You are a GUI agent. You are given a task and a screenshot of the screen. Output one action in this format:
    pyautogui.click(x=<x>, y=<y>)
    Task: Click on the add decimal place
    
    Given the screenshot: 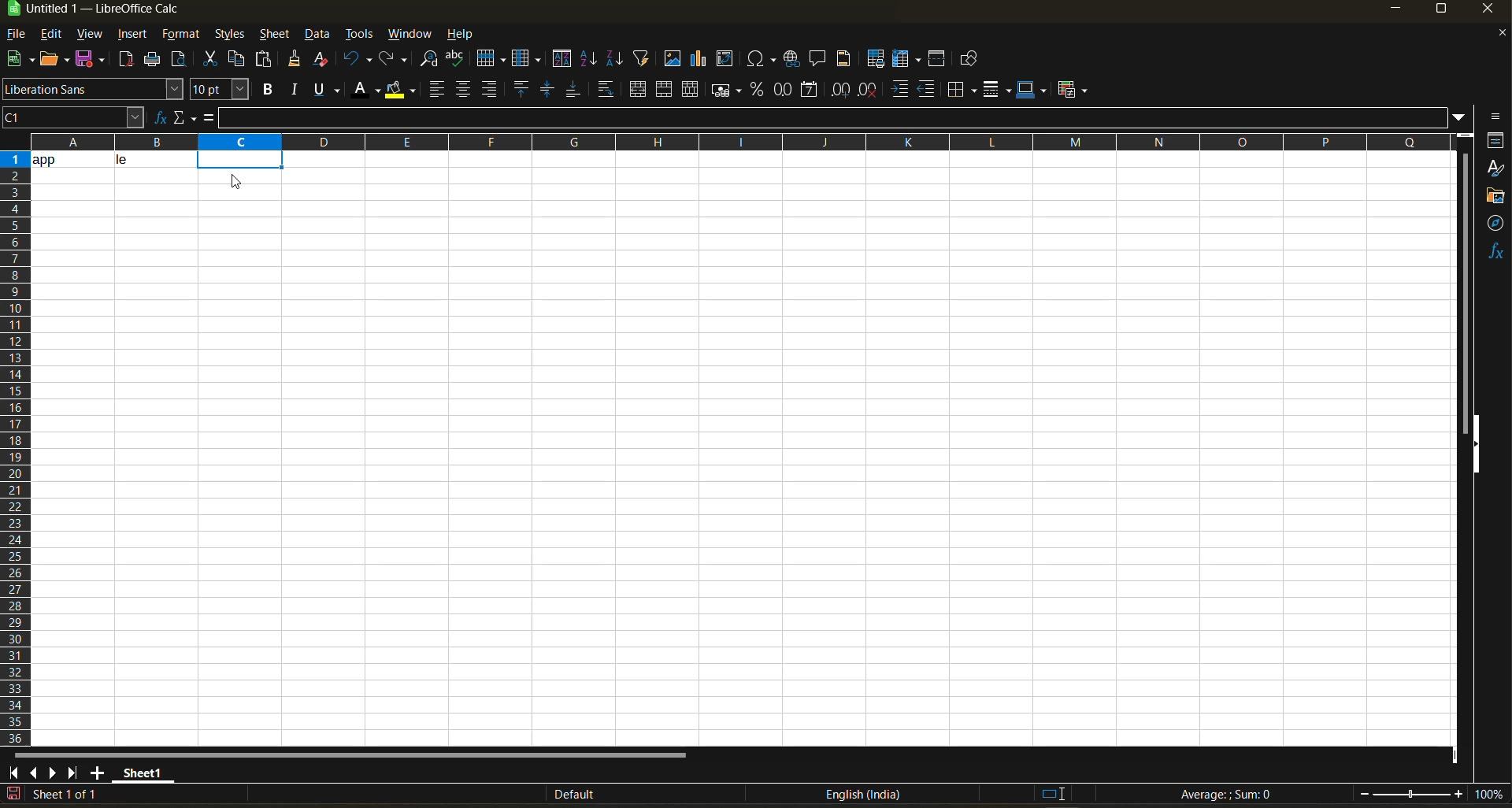 What is the action you would take?
    pyautogui.click(x=840, y=91)
    